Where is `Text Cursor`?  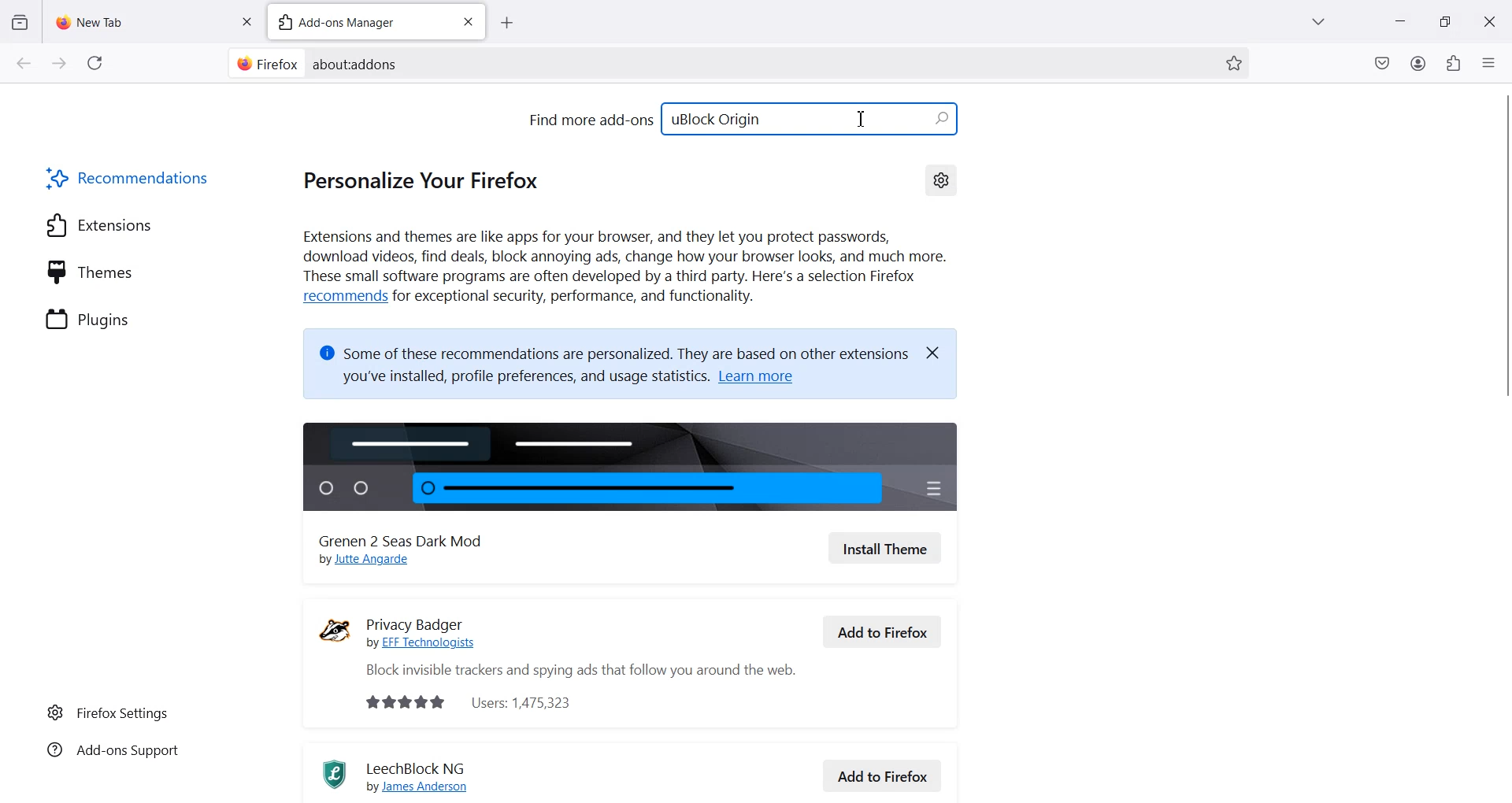 Text Cursor is located at coordinates (862, 118).